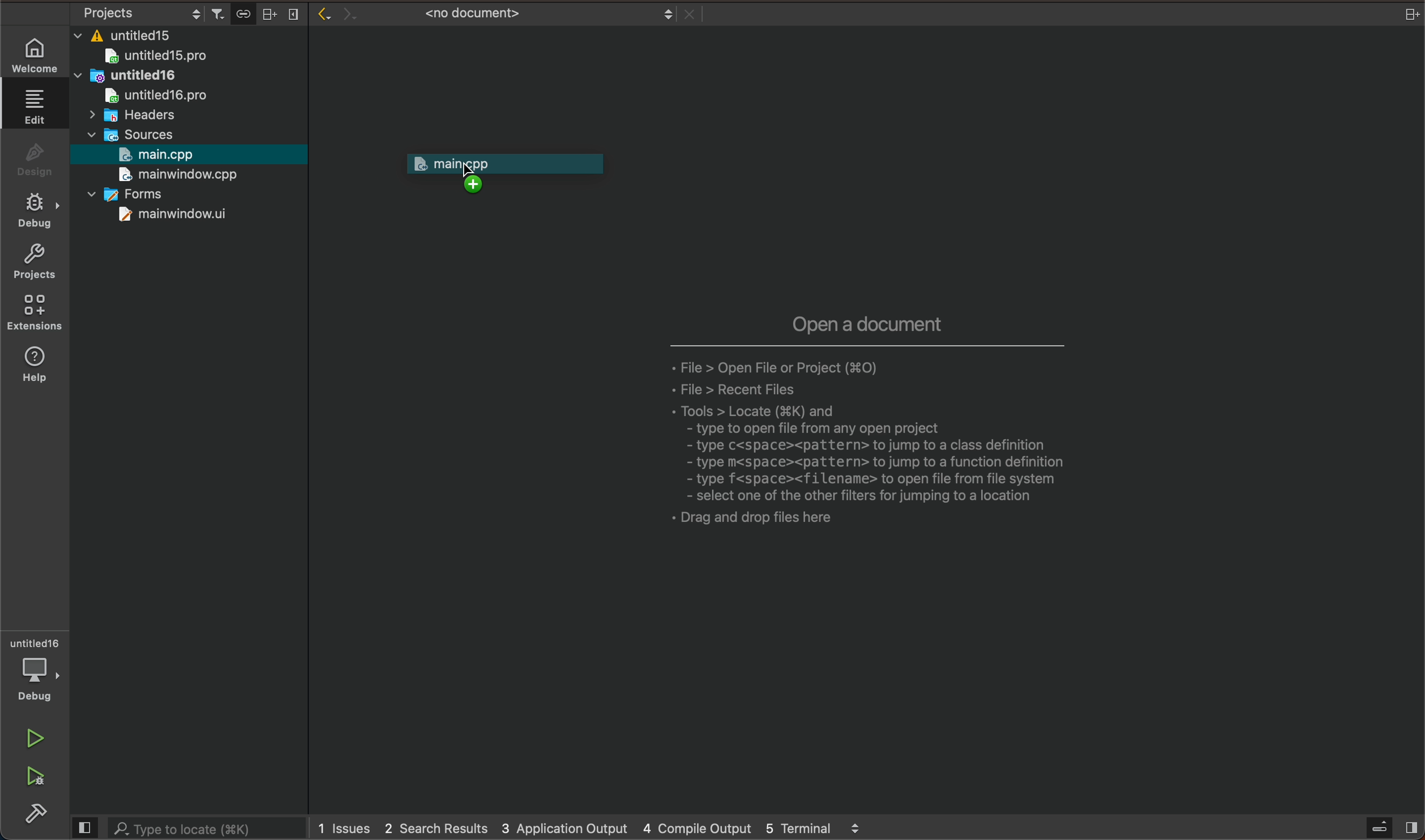 The height and width of the screenshot is (840, 1425). What do you see at coordinates (131, 115) in the screenshot?
I see `headers` at bounding box center [131, 115].